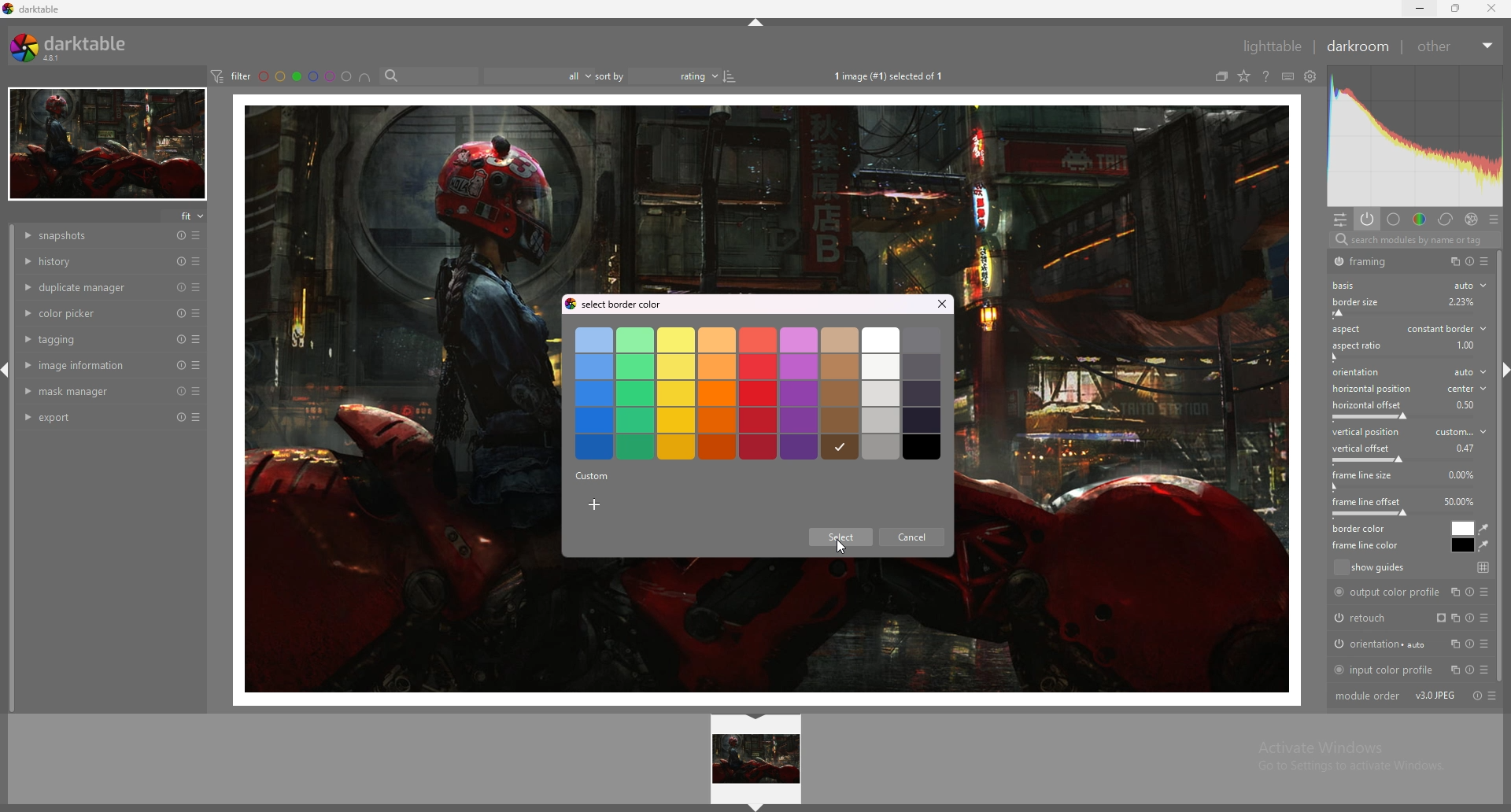 The width and height of the screenshot is (1511, 812). What do you see at coordinates (94, 312) in the screenshot?
I see `color picker` at bounding box center [94, 312].